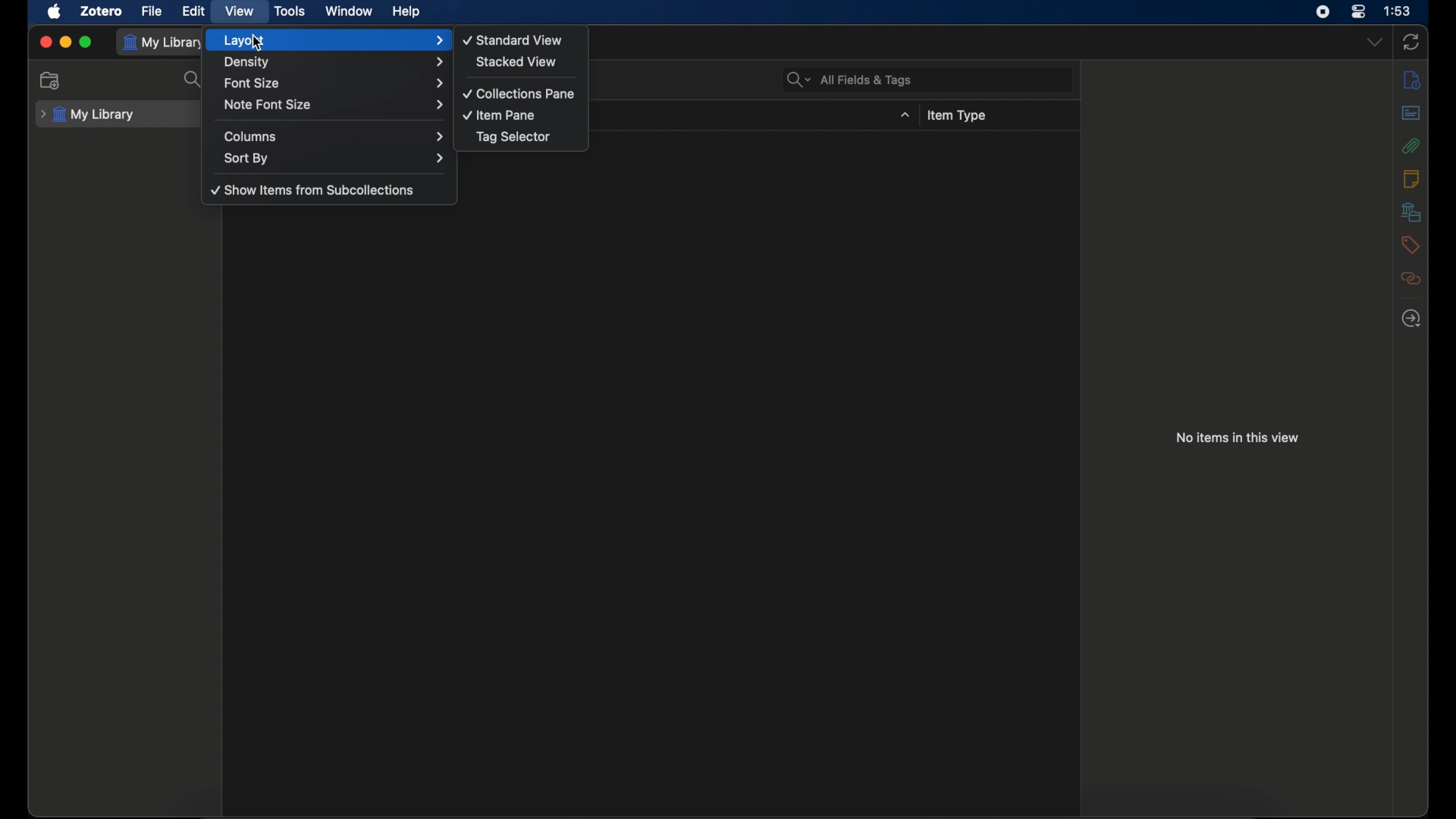 Image resolution: width=1456 pixels, height=819 pixels. I want to click on edit, so click(194, 11).